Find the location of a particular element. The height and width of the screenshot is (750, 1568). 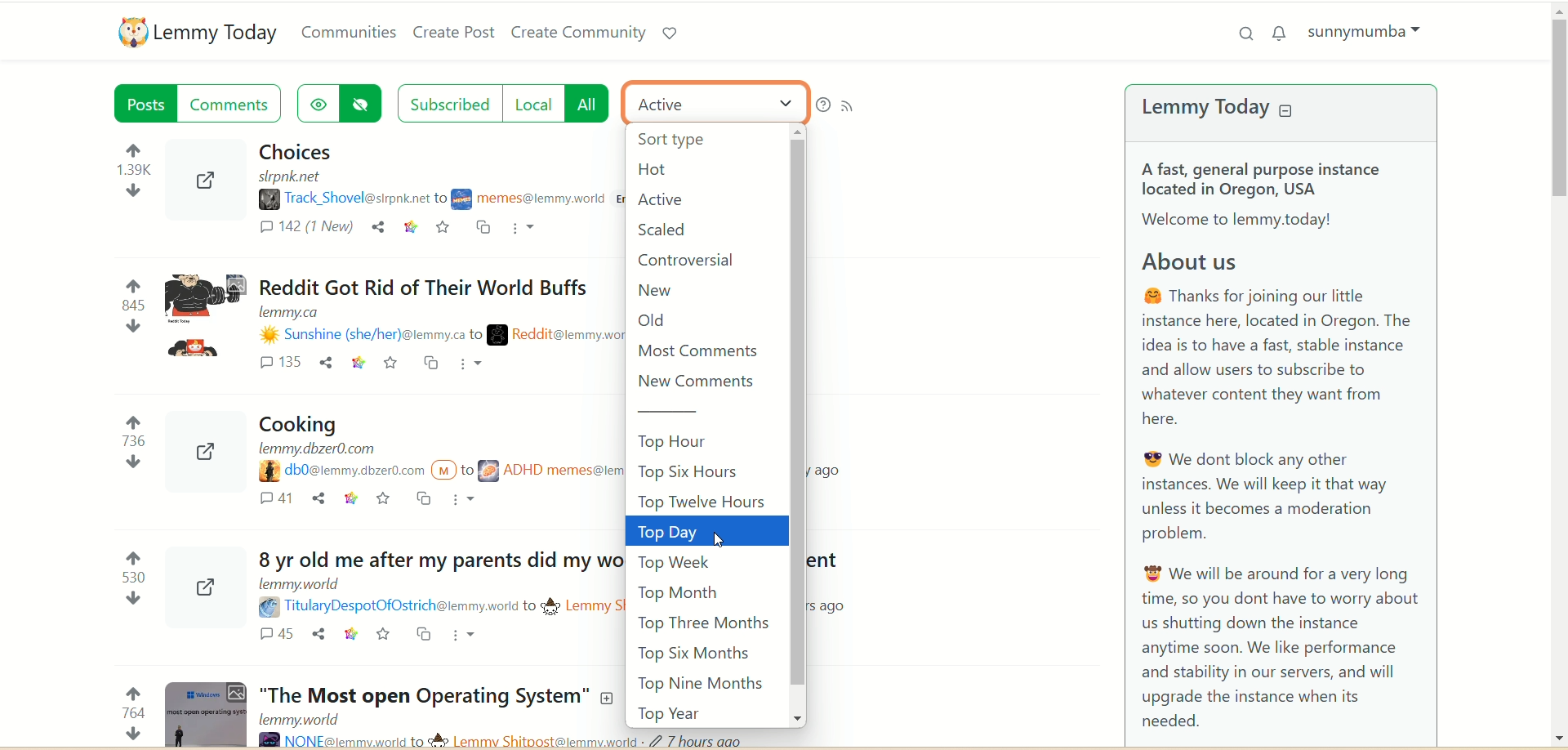

top nine months is located at coordinates (702, 685).